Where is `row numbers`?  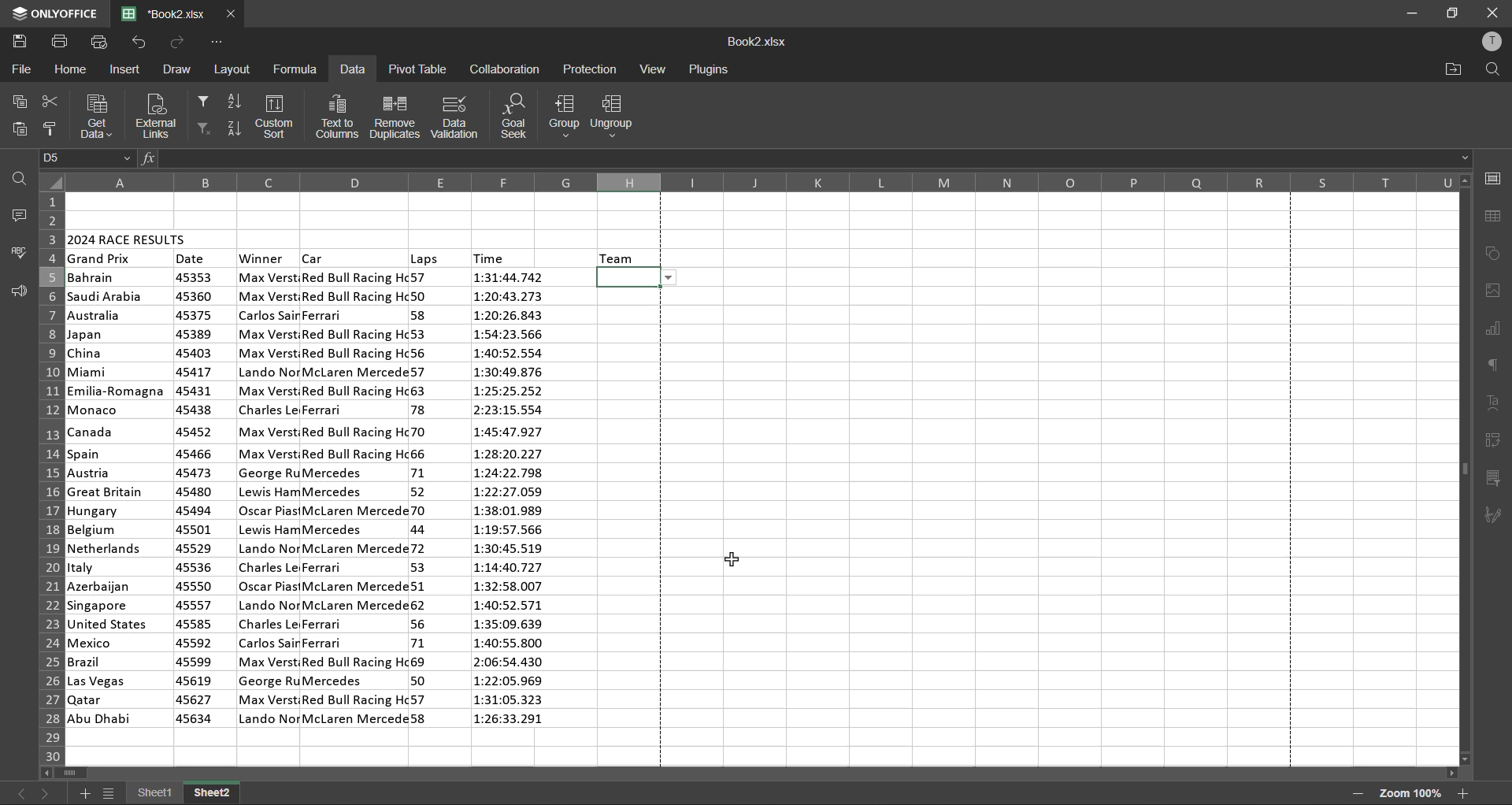 row numbers is located at coordinates (48, 476).